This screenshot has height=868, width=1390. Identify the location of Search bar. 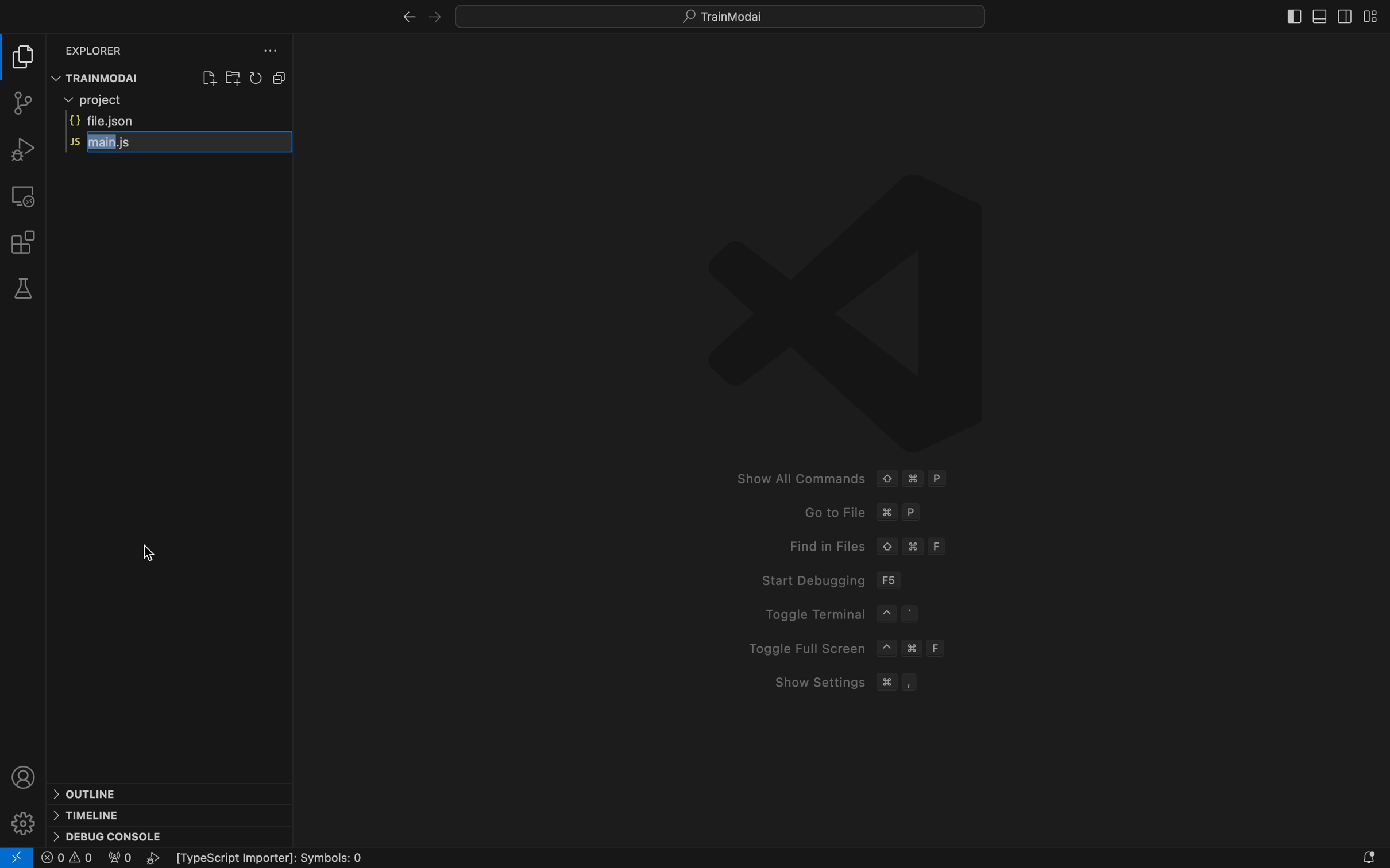
(725, 16).